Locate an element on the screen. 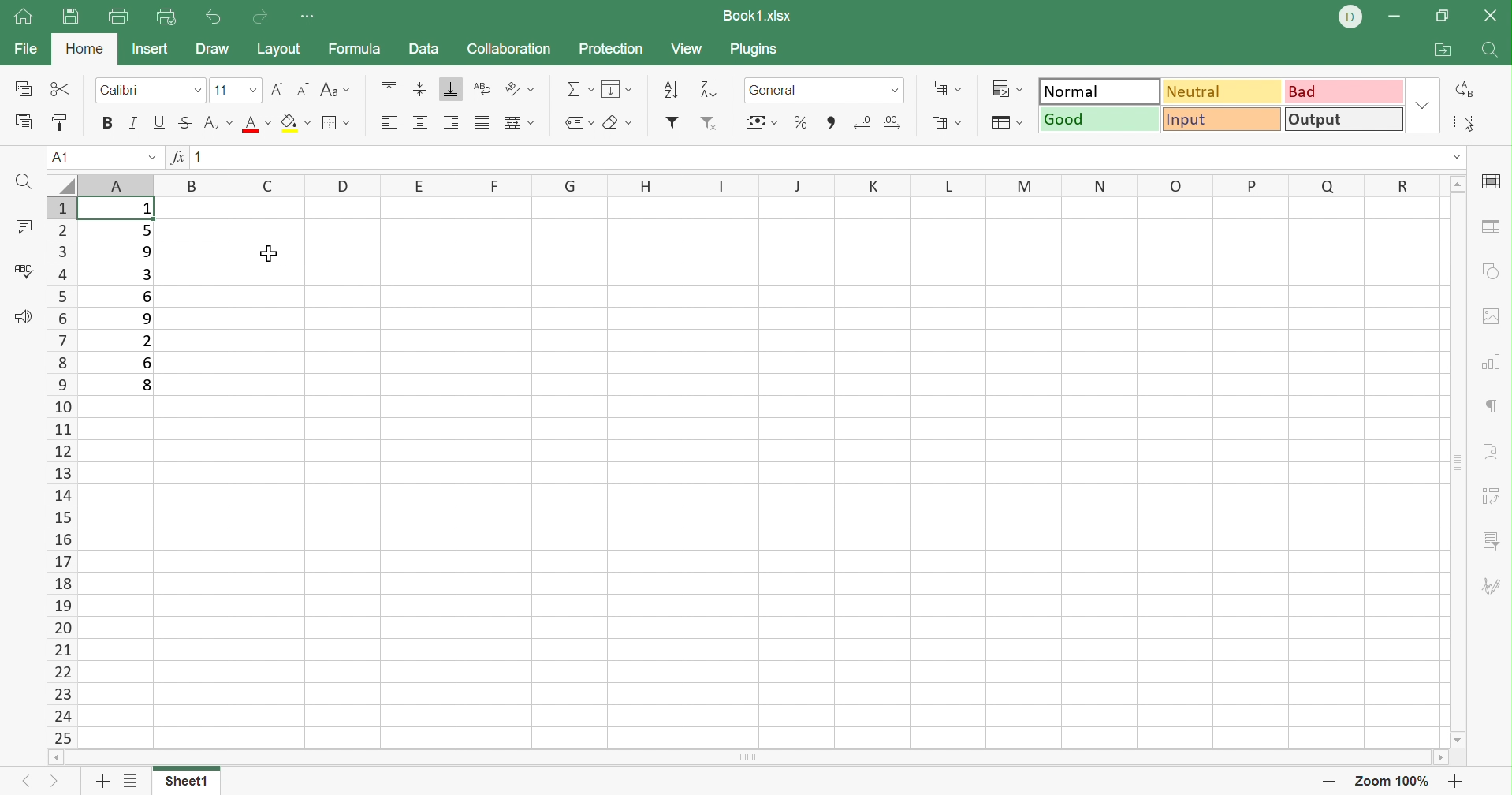 The image size is (1512, 795). Change case is located at coordinates (338, 88).